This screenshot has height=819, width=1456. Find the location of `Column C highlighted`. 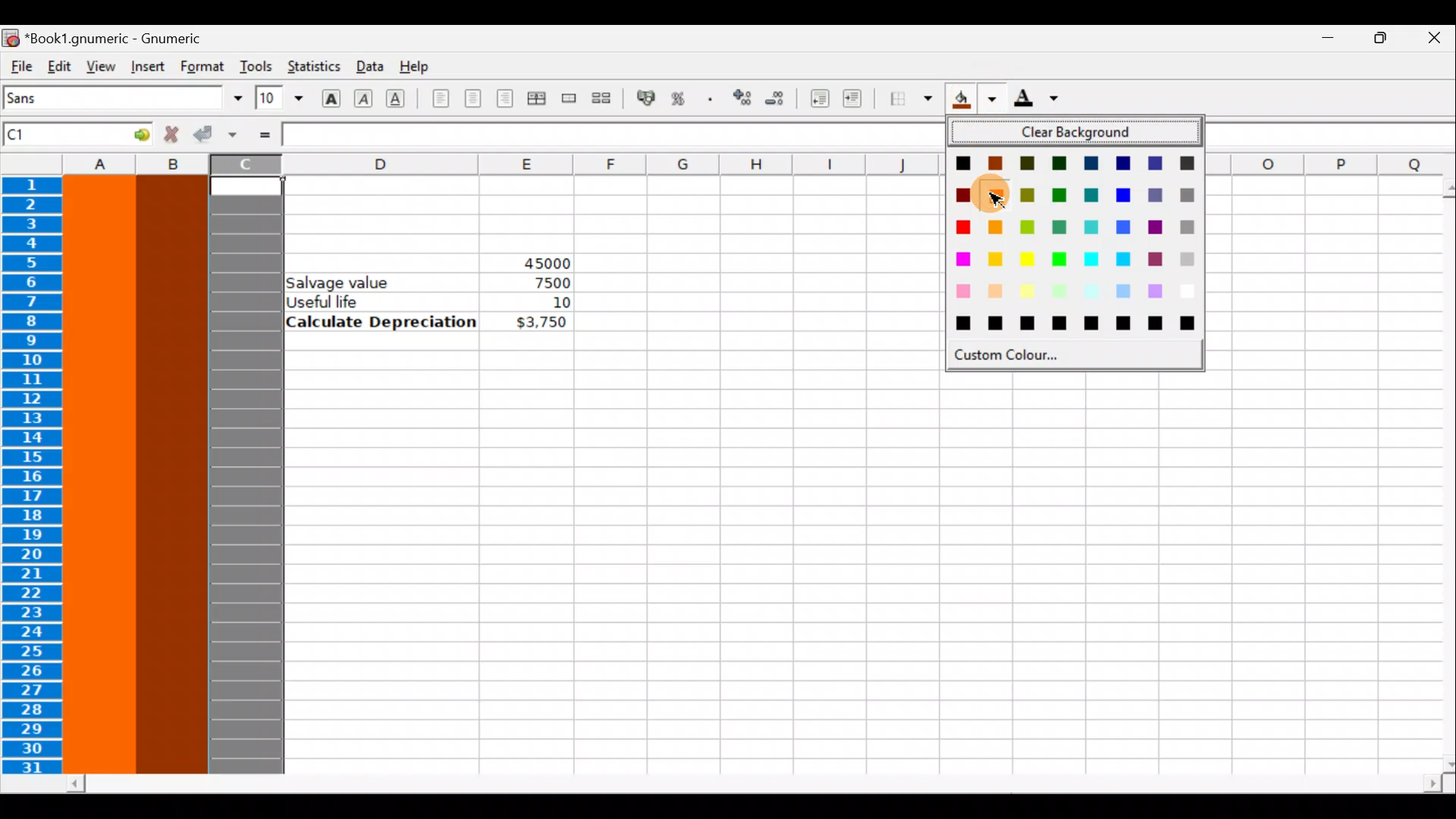

Column C highlighted is located at coordinates (246, 472).